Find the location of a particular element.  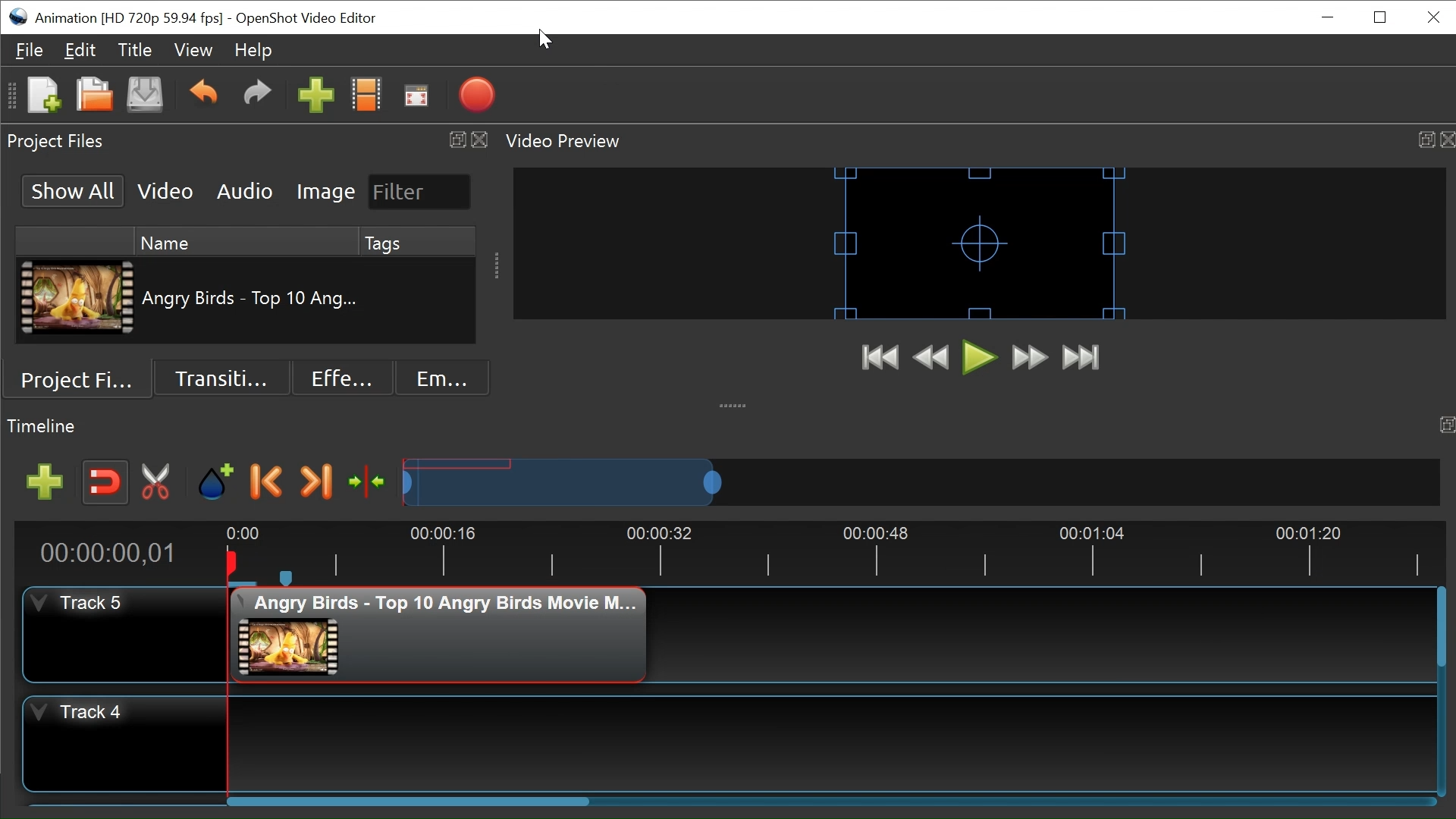

Add Marker is located at coordinates (215, 482).